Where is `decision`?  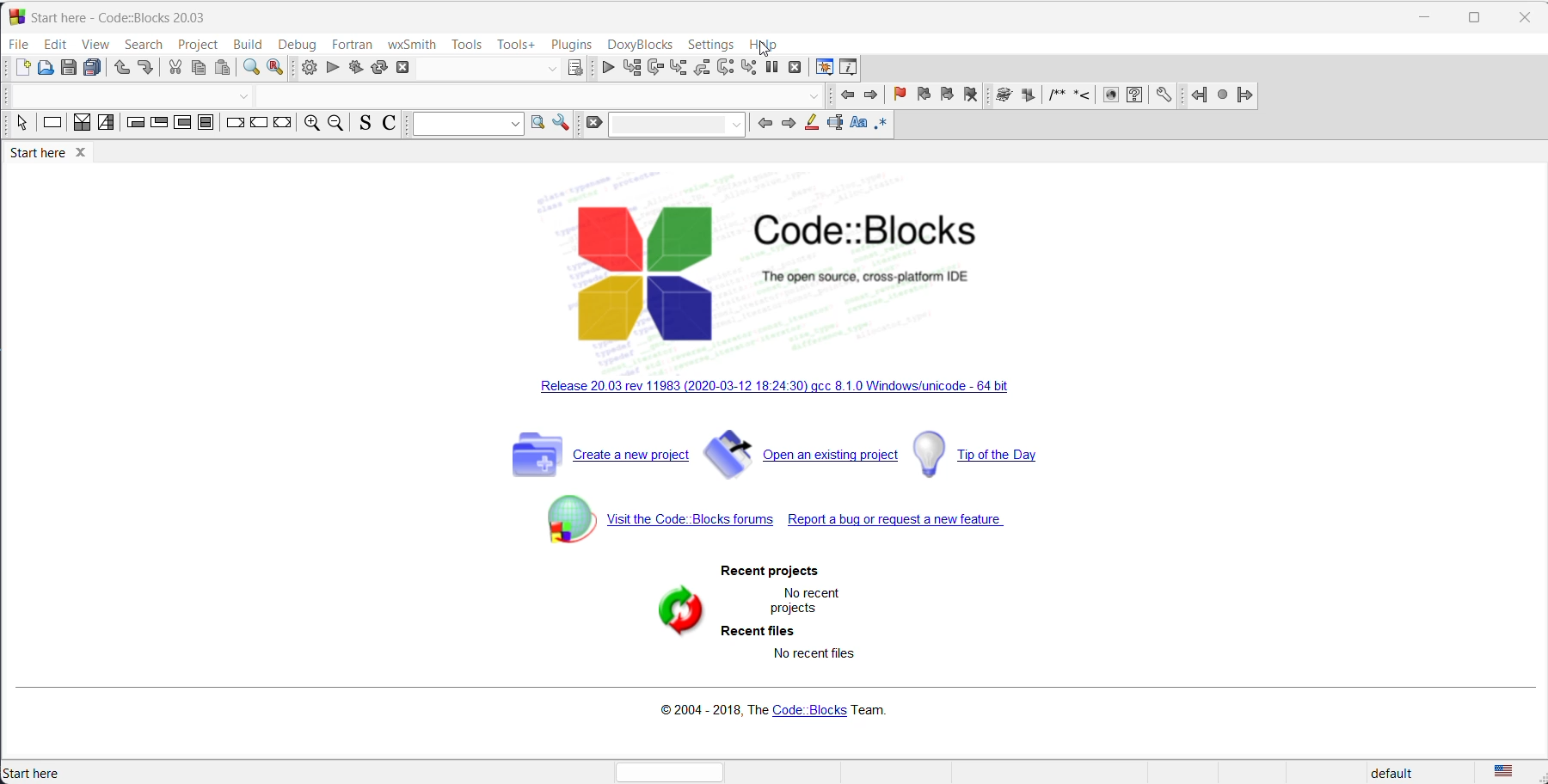
decision is located at coordinates (81, 125).